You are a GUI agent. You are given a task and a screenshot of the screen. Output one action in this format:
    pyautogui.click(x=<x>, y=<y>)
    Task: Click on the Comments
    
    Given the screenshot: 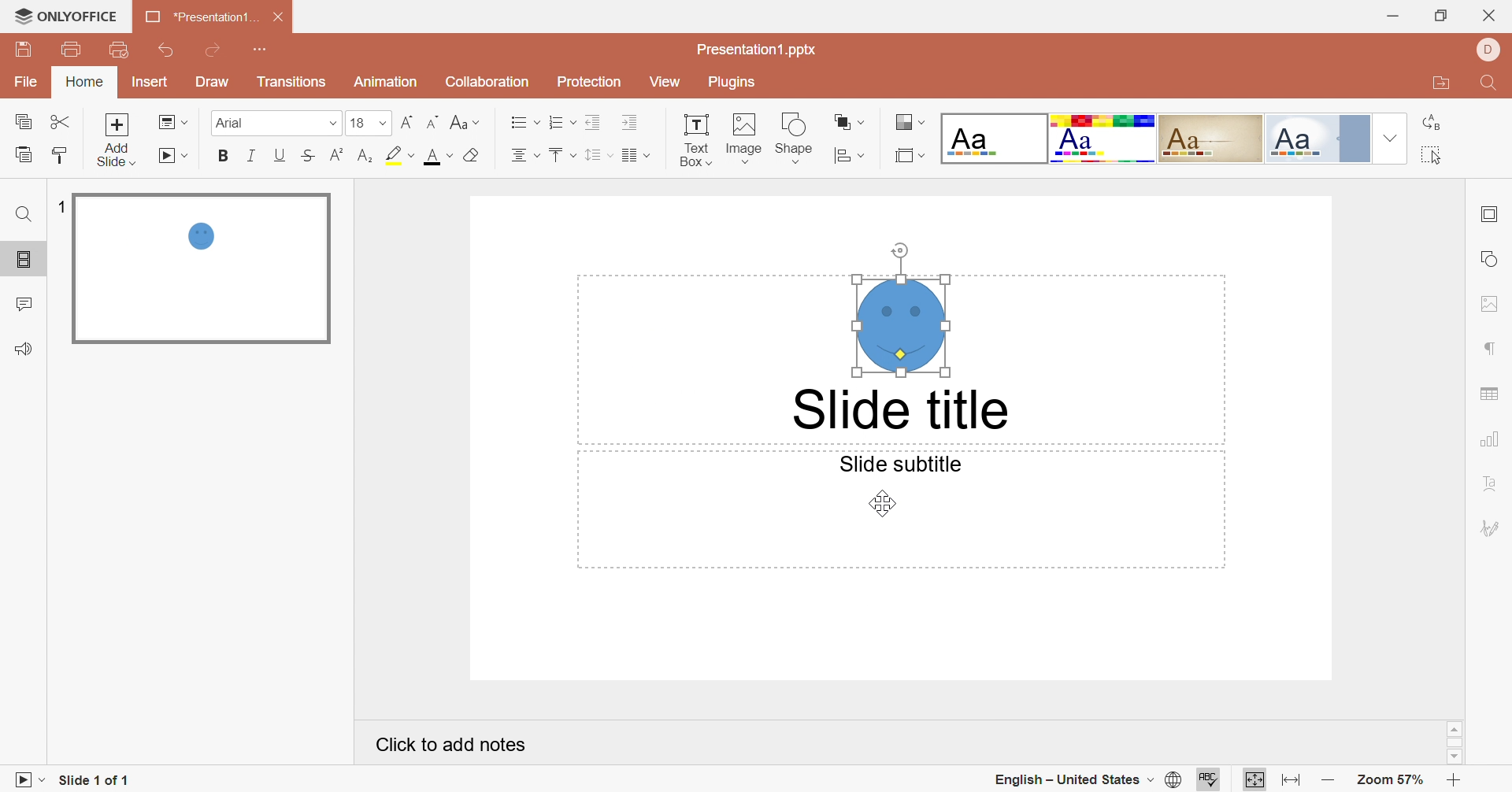 What is the action you would take?
    pyautogui.click(x=28, y=305)
    